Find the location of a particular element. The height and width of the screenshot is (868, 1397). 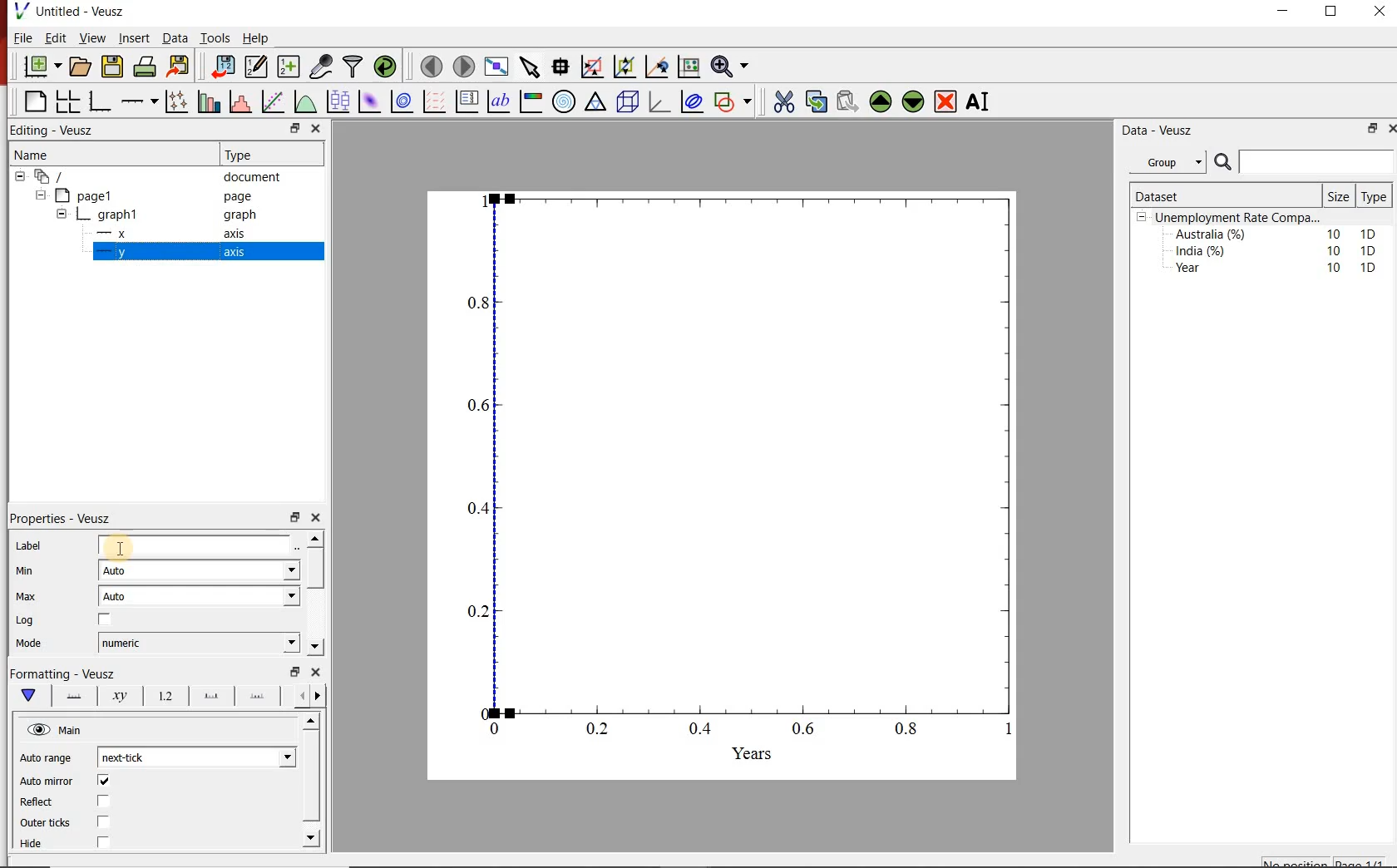

tick labels is located at coordinates (166, 697).